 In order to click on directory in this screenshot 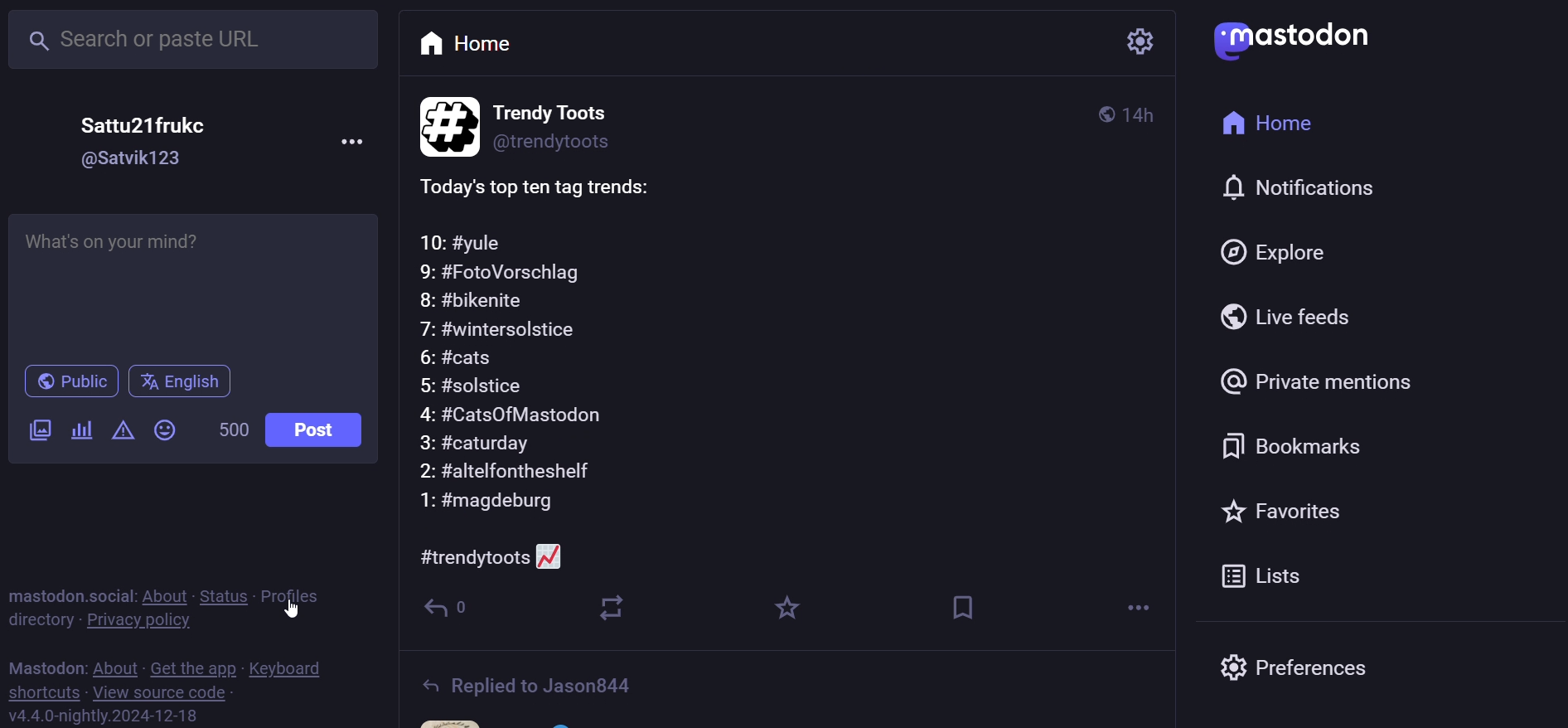, I will do `click(36, 620)`.